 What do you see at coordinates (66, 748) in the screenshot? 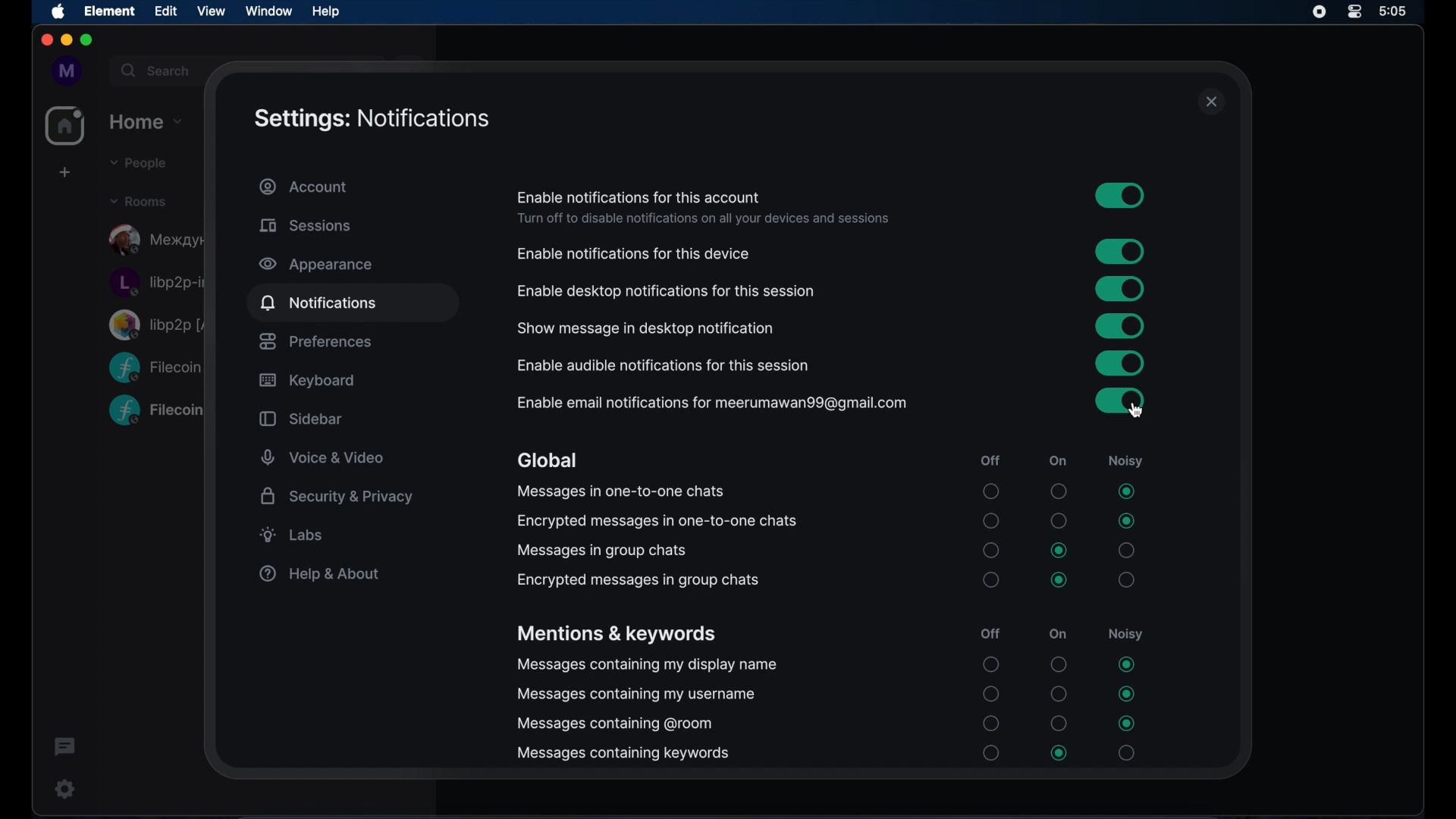
I see `thread activity` at bounding box center [66, 748].